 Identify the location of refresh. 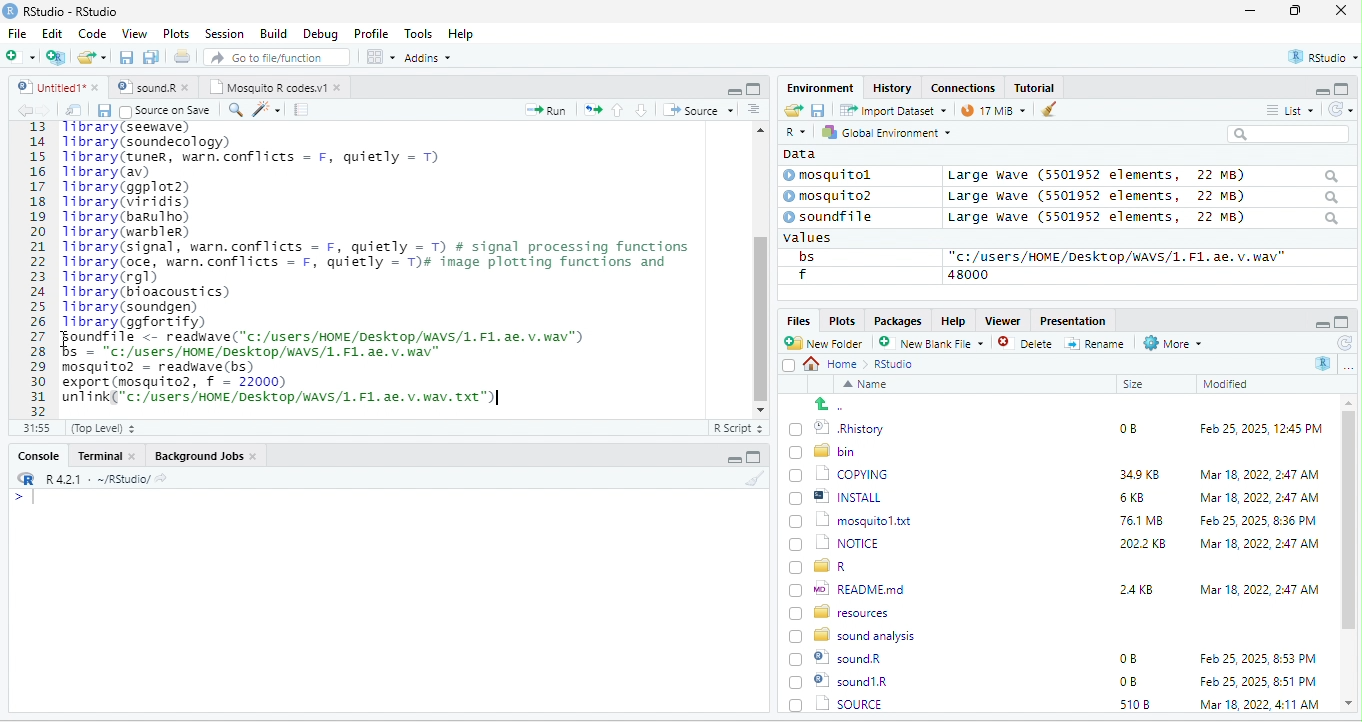
(1337, 109).